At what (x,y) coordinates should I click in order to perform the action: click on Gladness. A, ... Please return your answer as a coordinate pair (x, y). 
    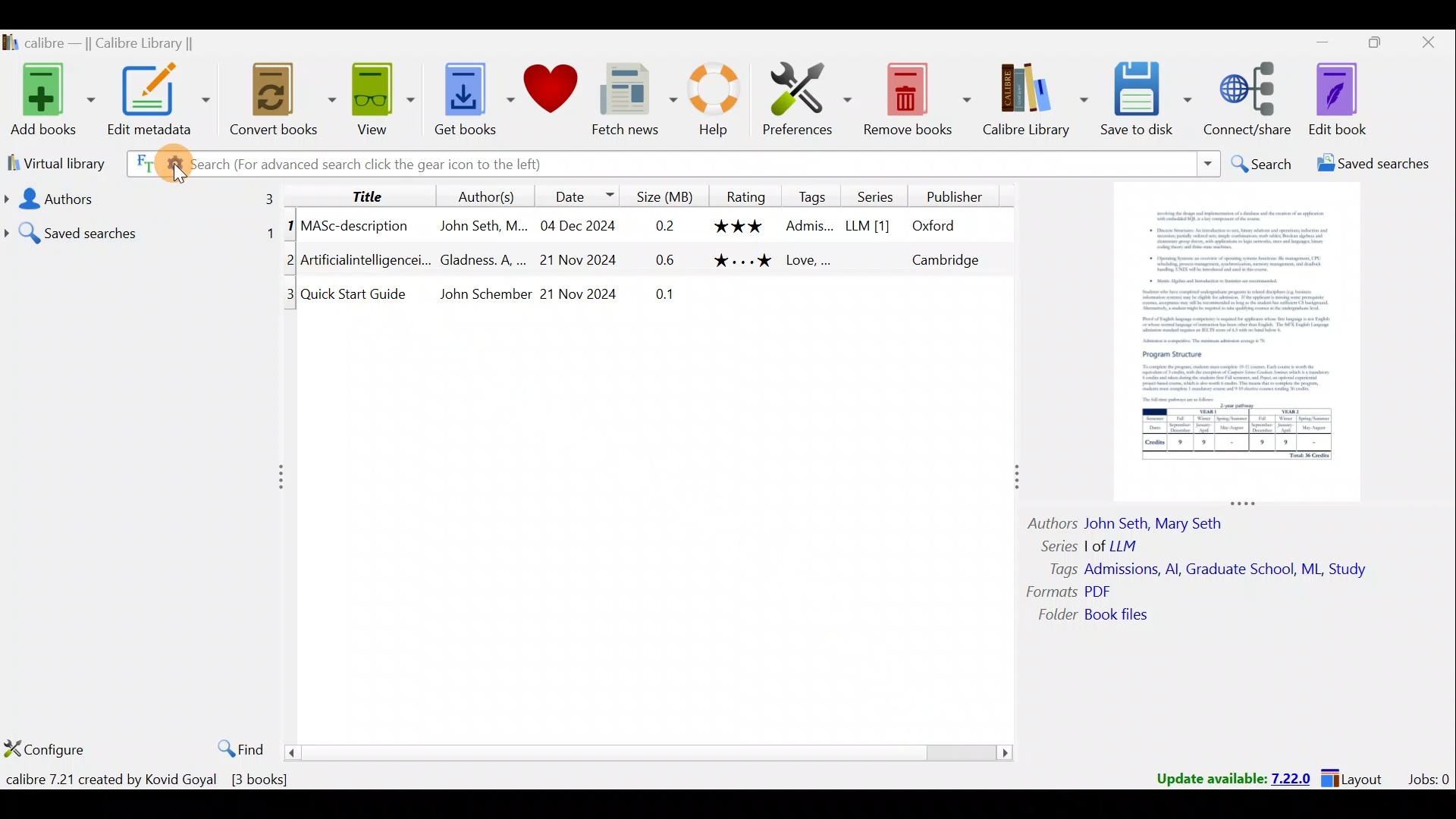
    Looking at the image, I should click on (479, 260).